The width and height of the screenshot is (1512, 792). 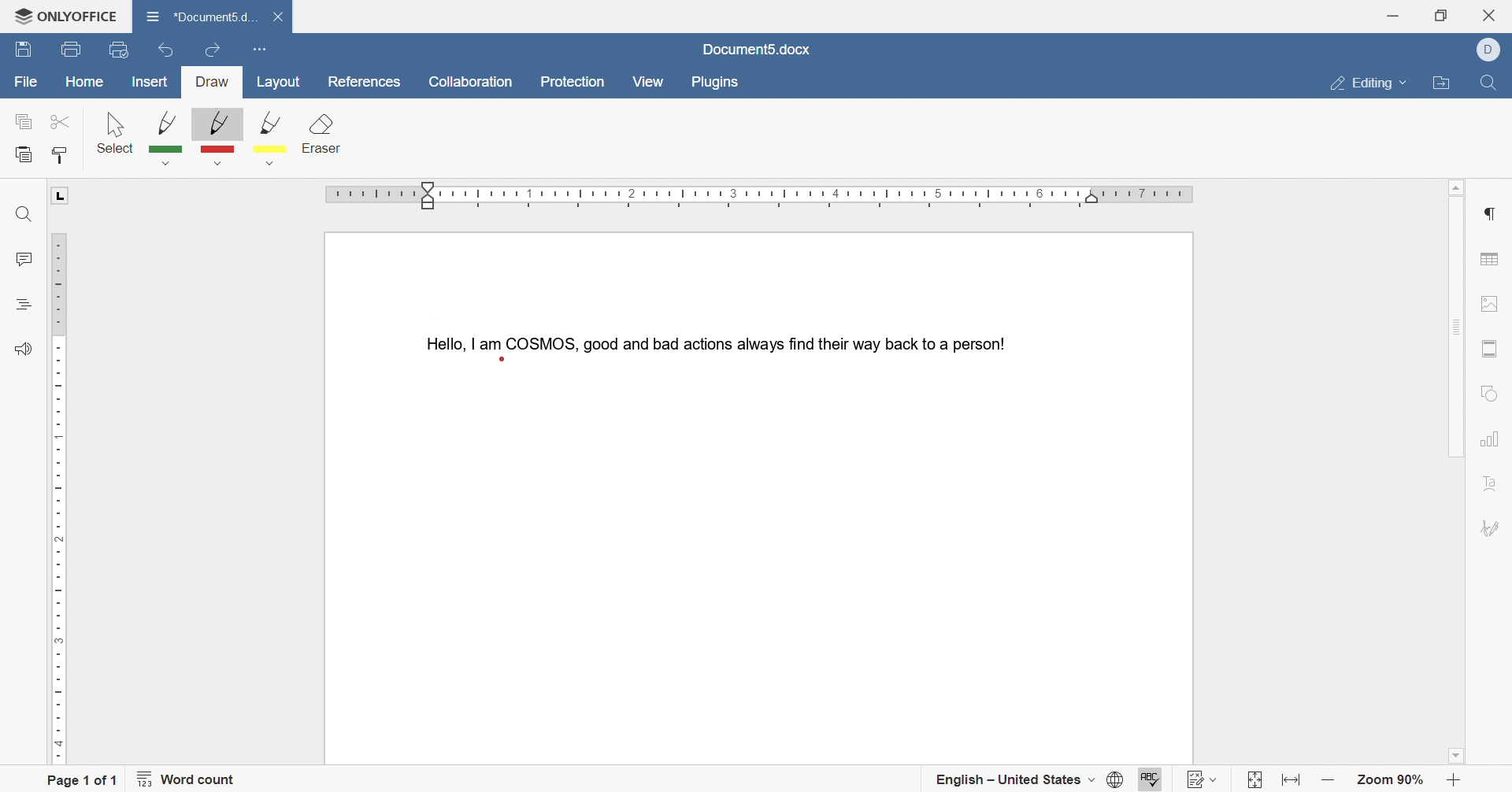 I want to click on paragraph settings, so click(x=1493, y=213).